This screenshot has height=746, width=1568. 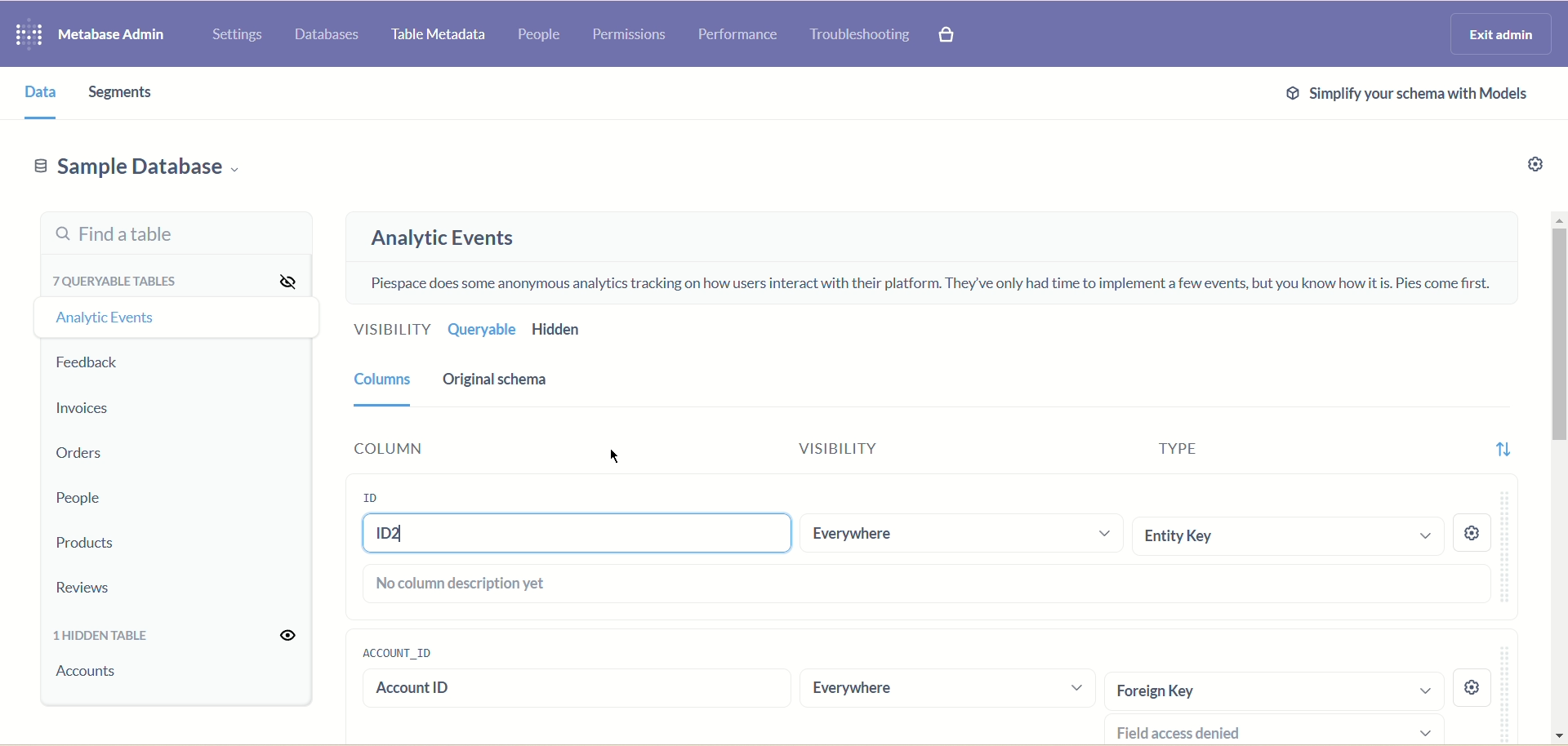 What do you see at coordinates (948, 36) in the screenshot?
I see `Explore paid features` at bounding box center [948, 36].